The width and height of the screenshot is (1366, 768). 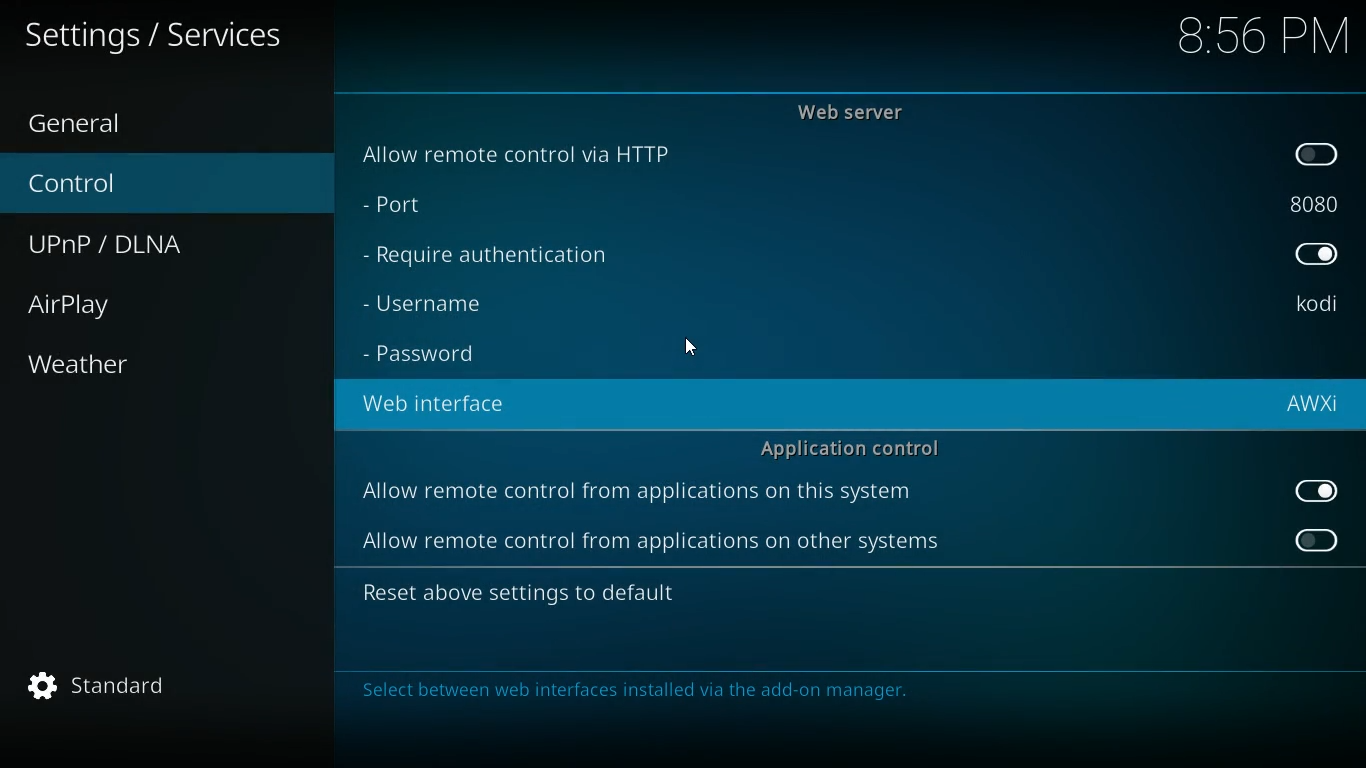 What do you see at coordinates (107, 687) in the screenshot?
I see `standard` at bounding box center [107, 687].